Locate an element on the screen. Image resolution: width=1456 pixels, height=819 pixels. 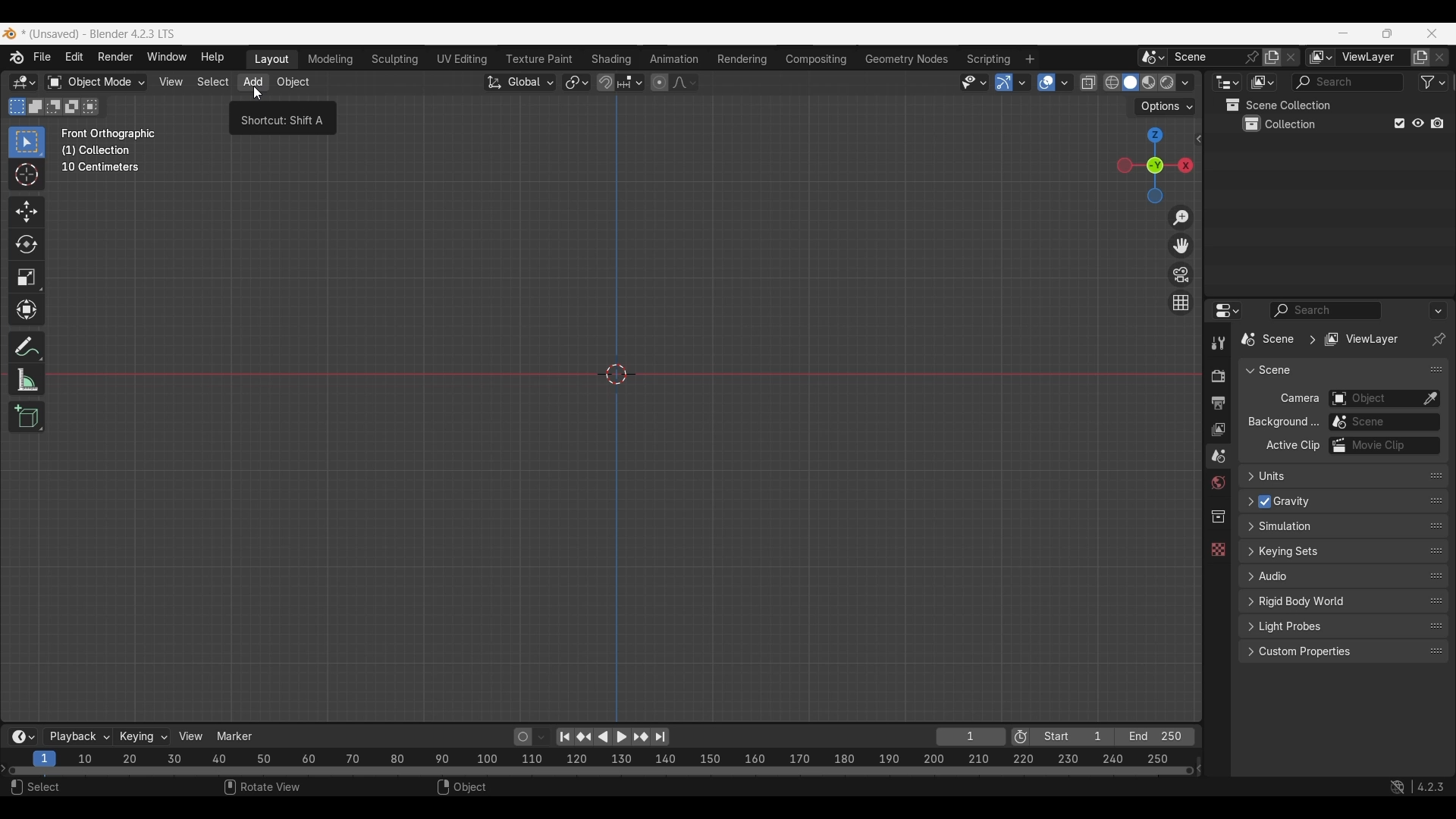
Change order in the list is located at coordinates (1436, 626).